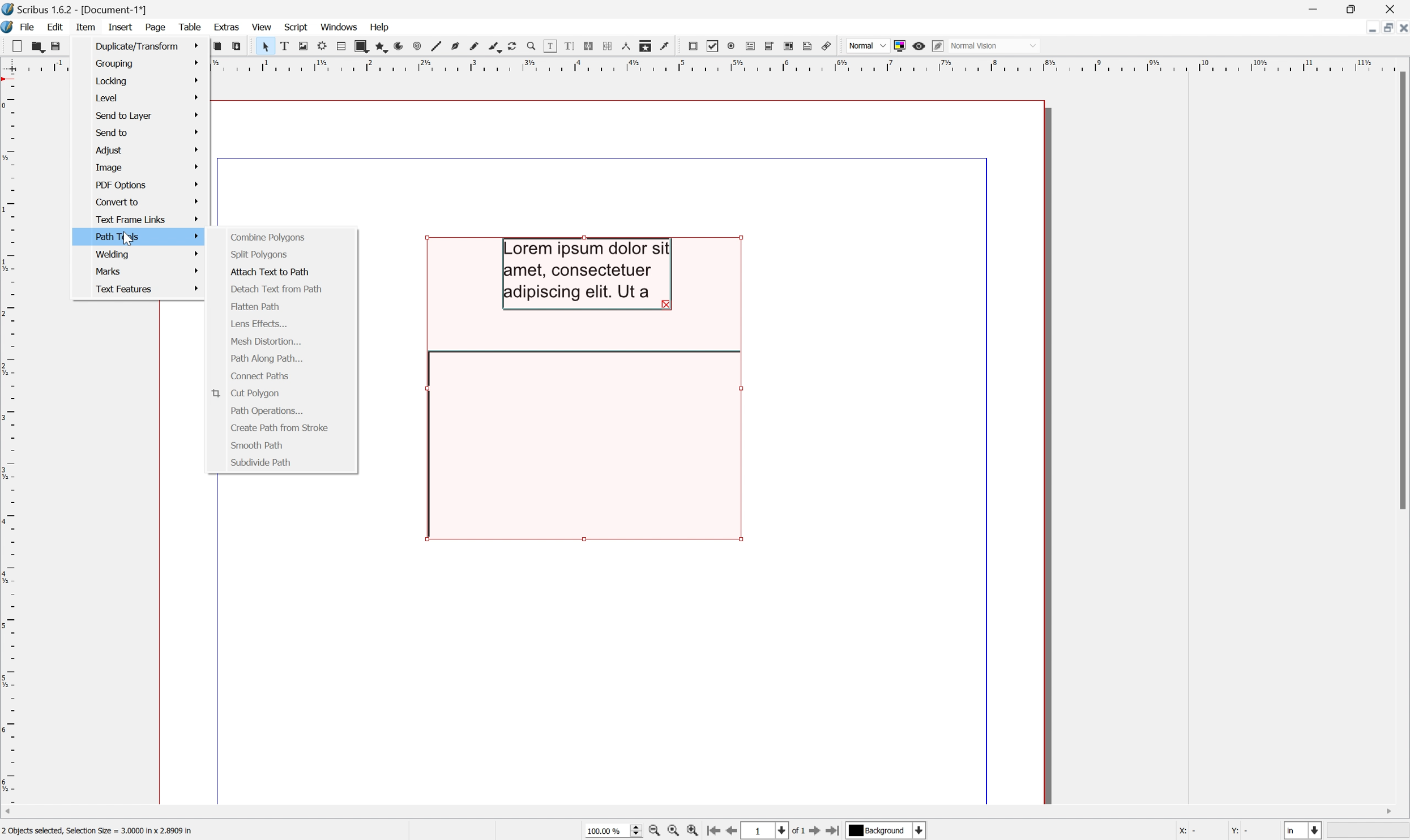  I want to click on Save, so click(54, 46).